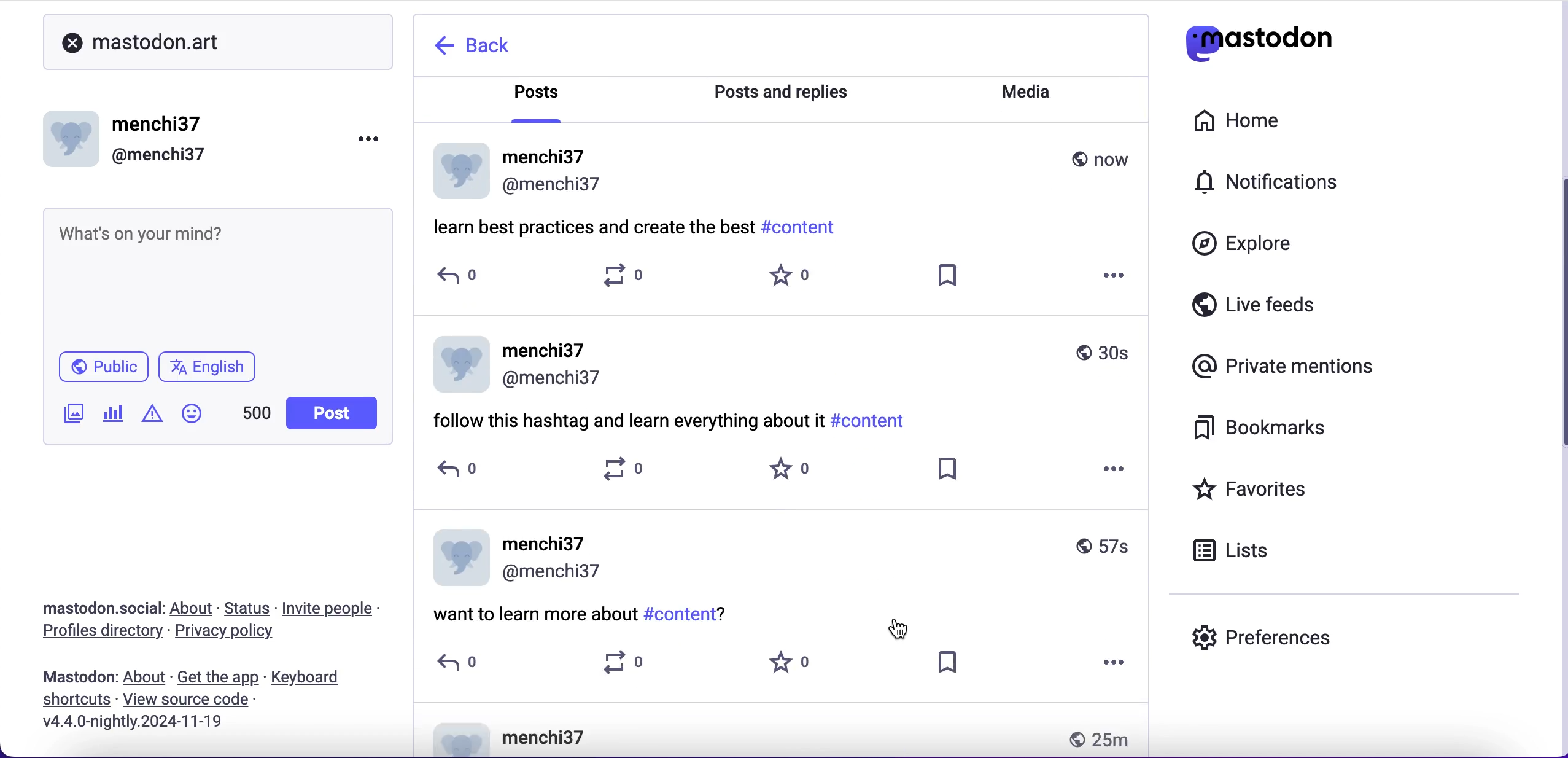 The width and height of the screenshot is (1568, 758). Describe the element at coordinates (74, 698) in the screenshot. I see `shortcuts` at that location.